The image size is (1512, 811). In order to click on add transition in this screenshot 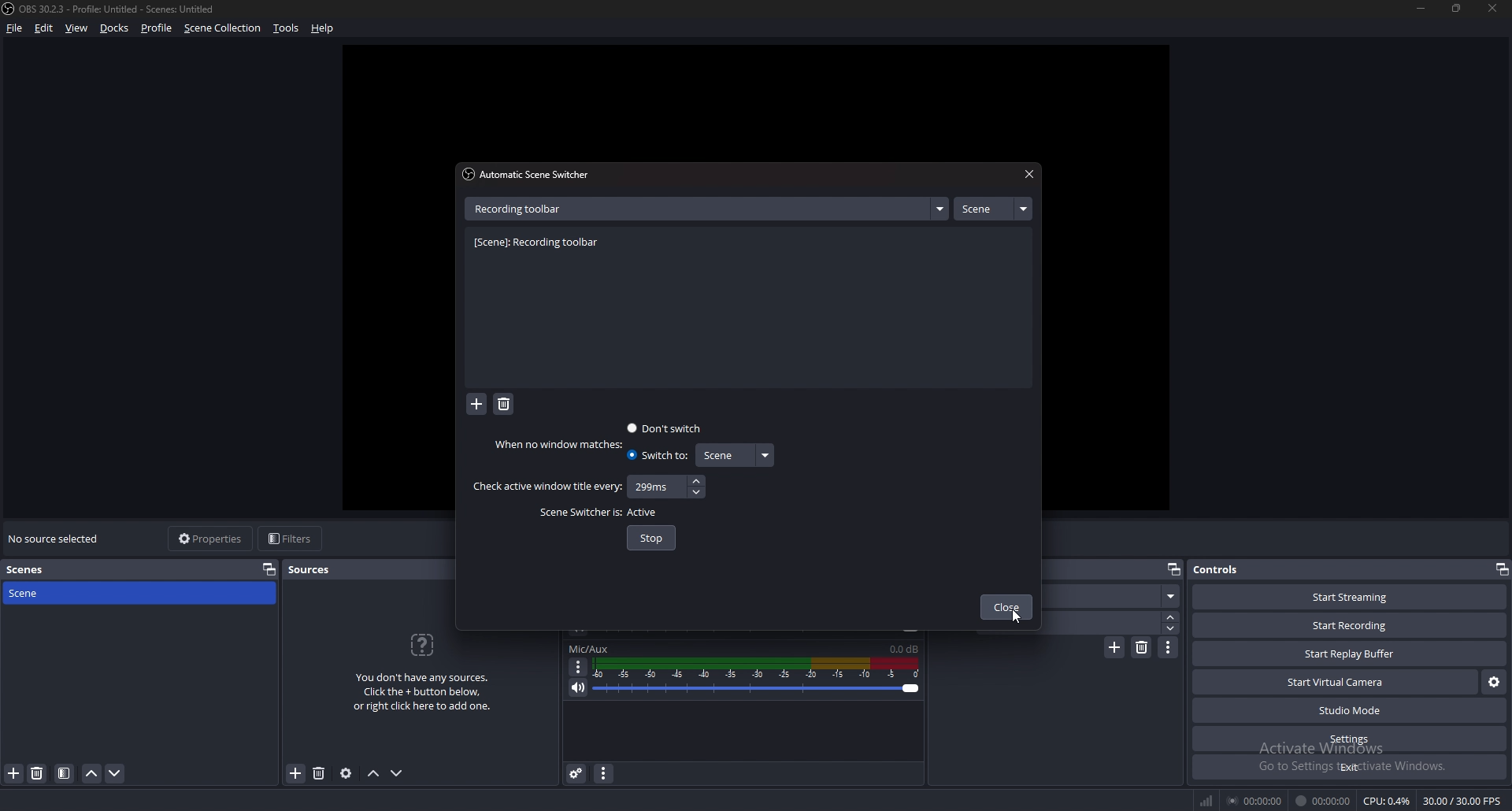, I will do `click(1114, 647)`.